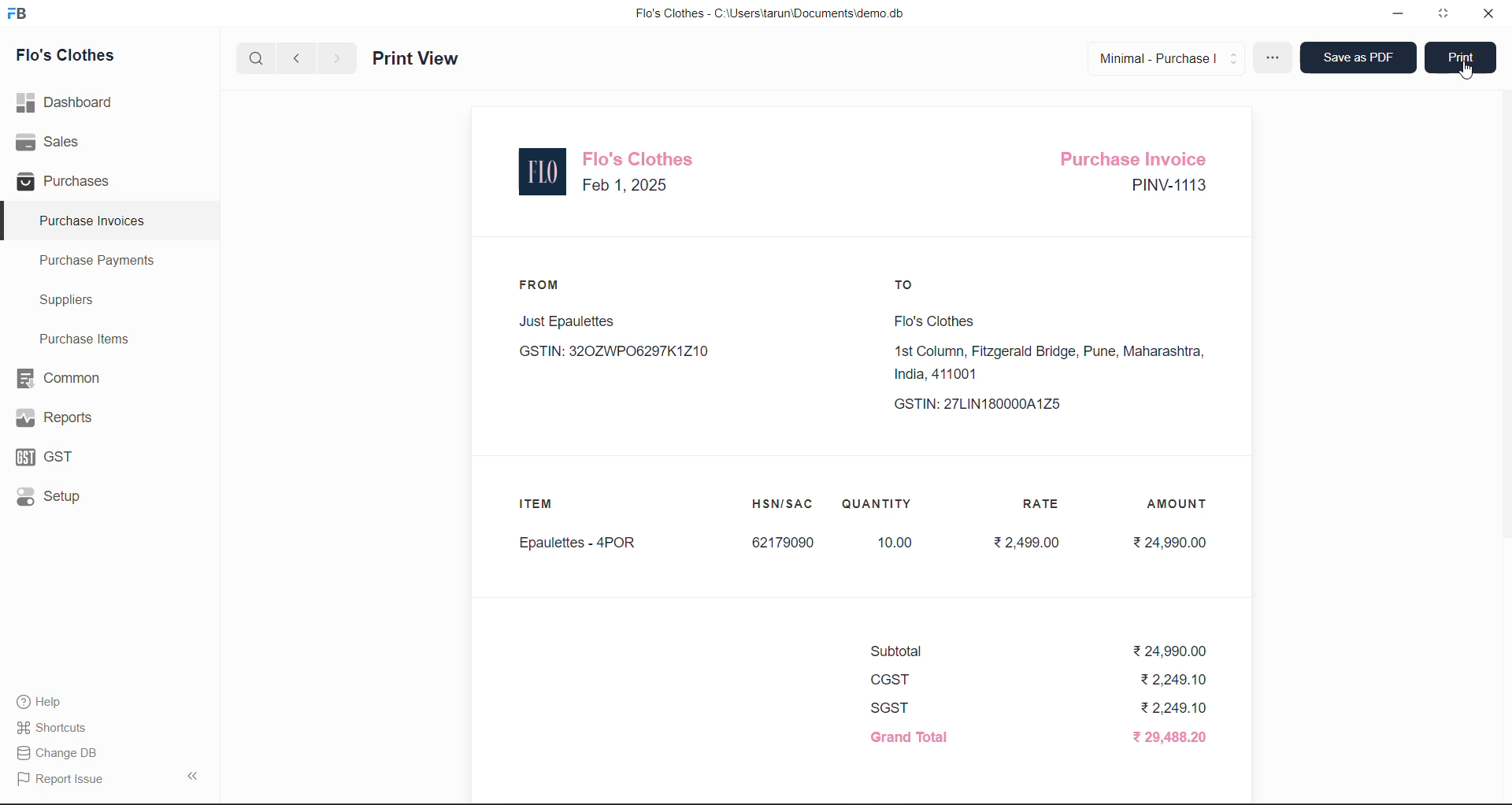 This screenshot has width=1512, height=805. I want to click on TO, so click(910, 289).